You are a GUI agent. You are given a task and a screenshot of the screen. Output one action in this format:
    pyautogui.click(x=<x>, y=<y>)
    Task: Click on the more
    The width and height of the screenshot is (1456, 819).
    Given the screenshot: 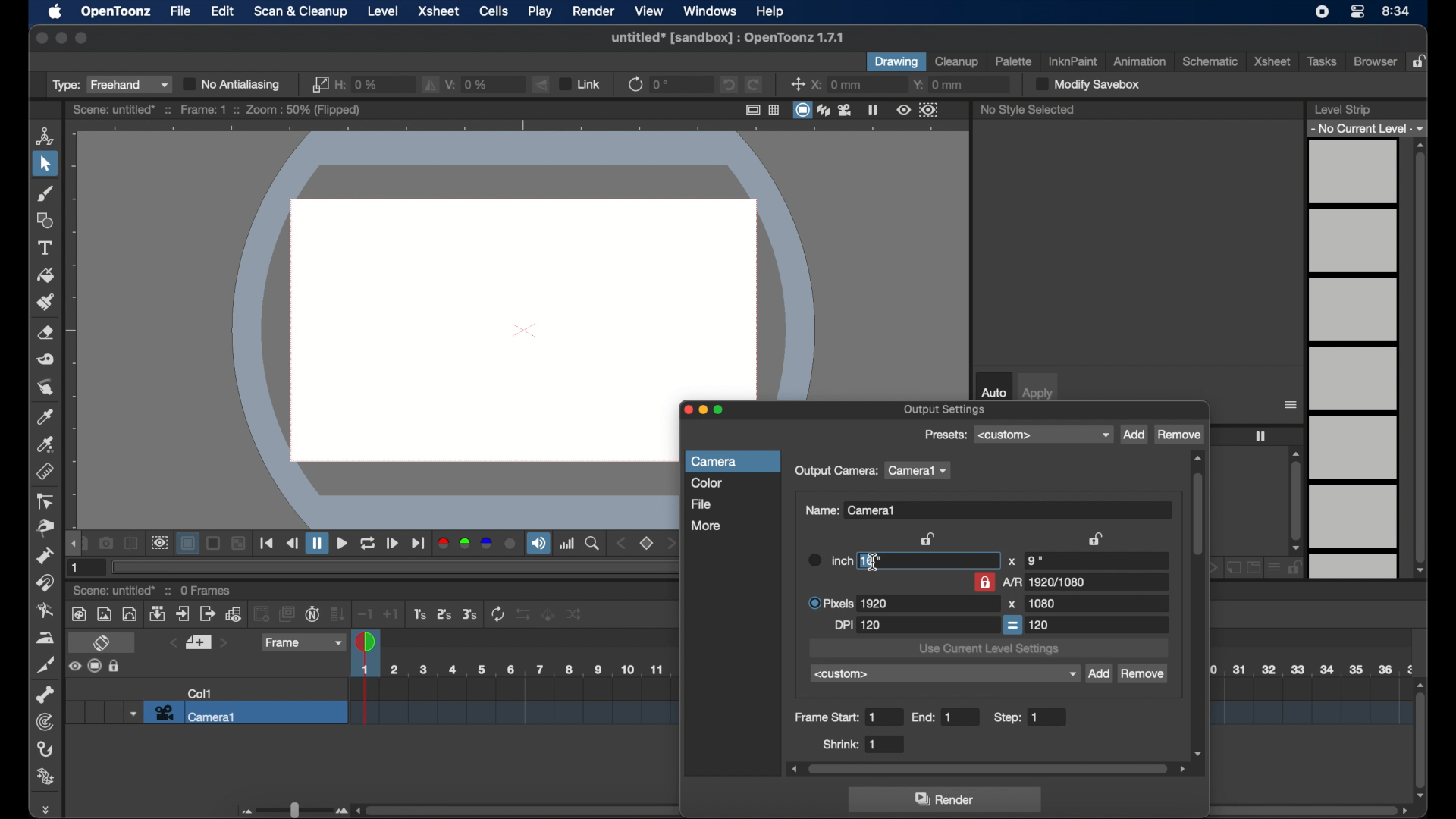 What is the action you would take?
    pyautogui.click(x=706, y=525)
    